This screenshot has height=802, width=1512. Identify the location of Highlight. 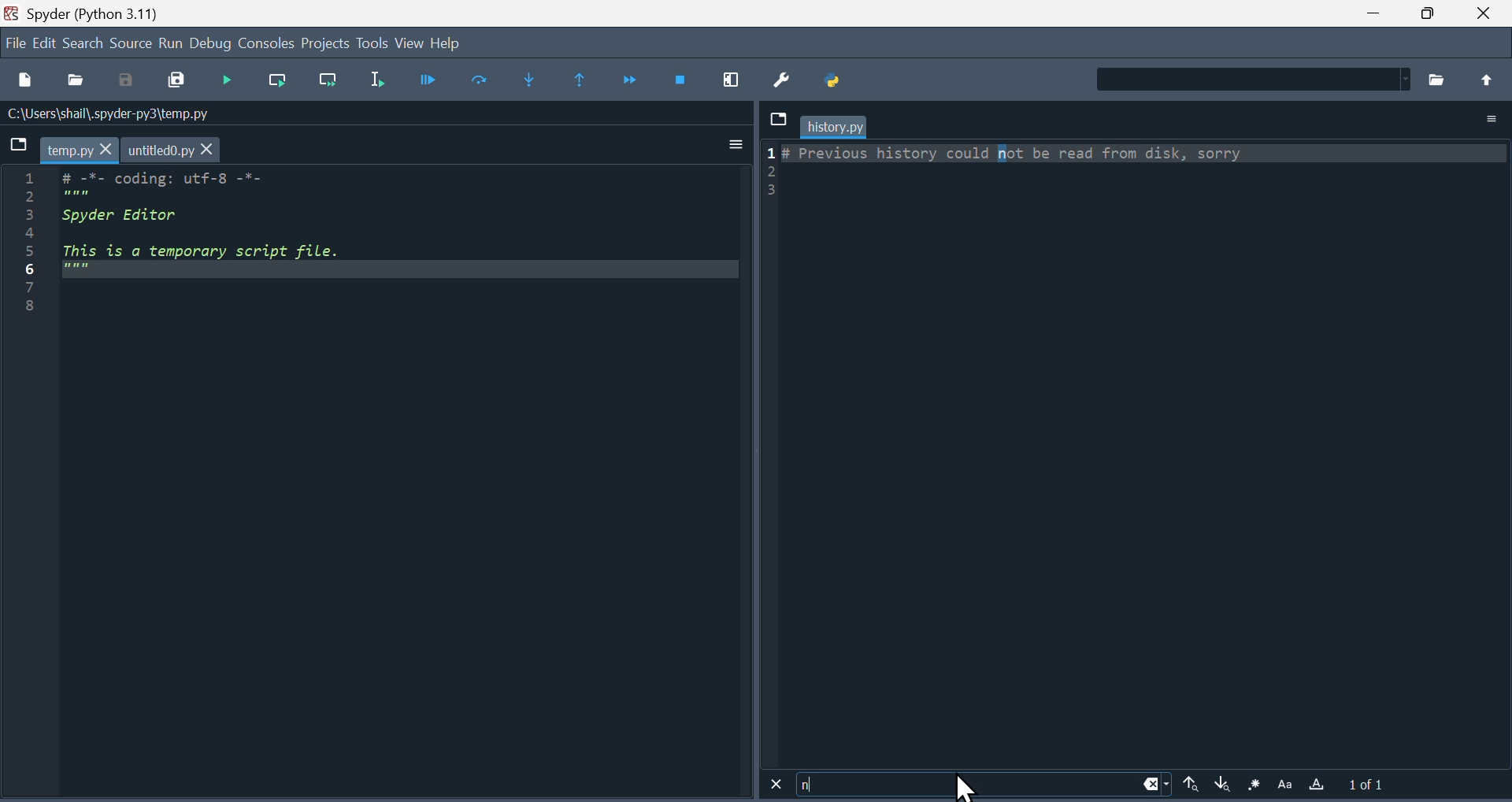
(1320, 787).